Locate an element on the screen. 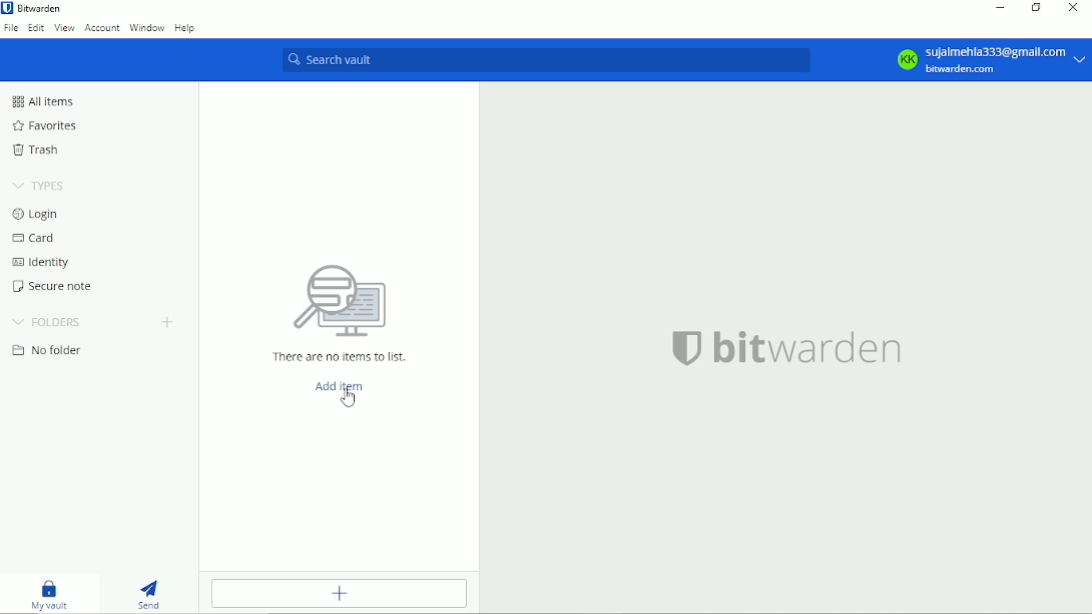 The height and width of the screenshot is (614, 1092). View is located at coordinates (65, 29).